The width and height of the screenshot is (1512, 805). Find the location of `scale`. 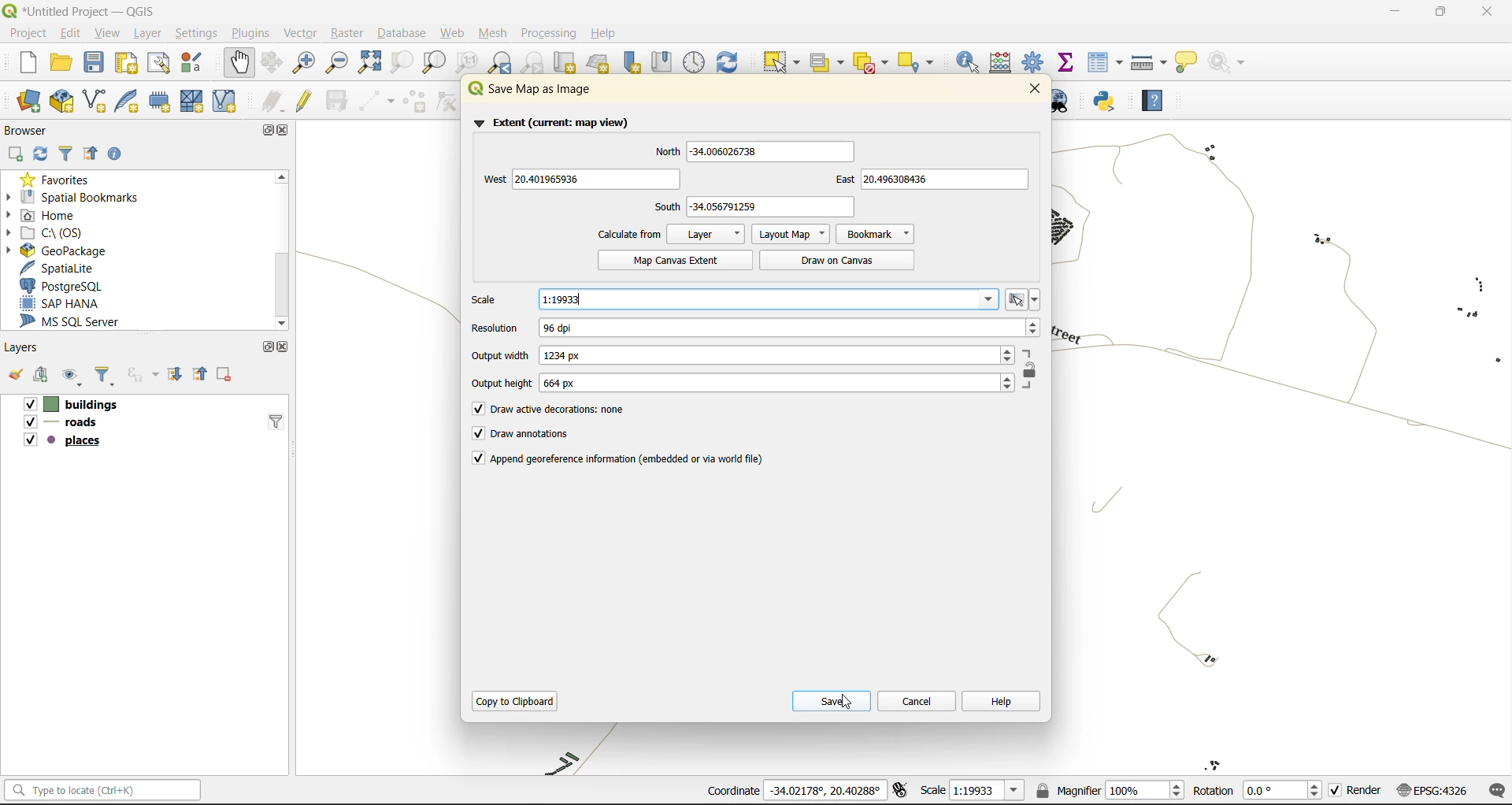

scale is located at coordinates (968, 791).